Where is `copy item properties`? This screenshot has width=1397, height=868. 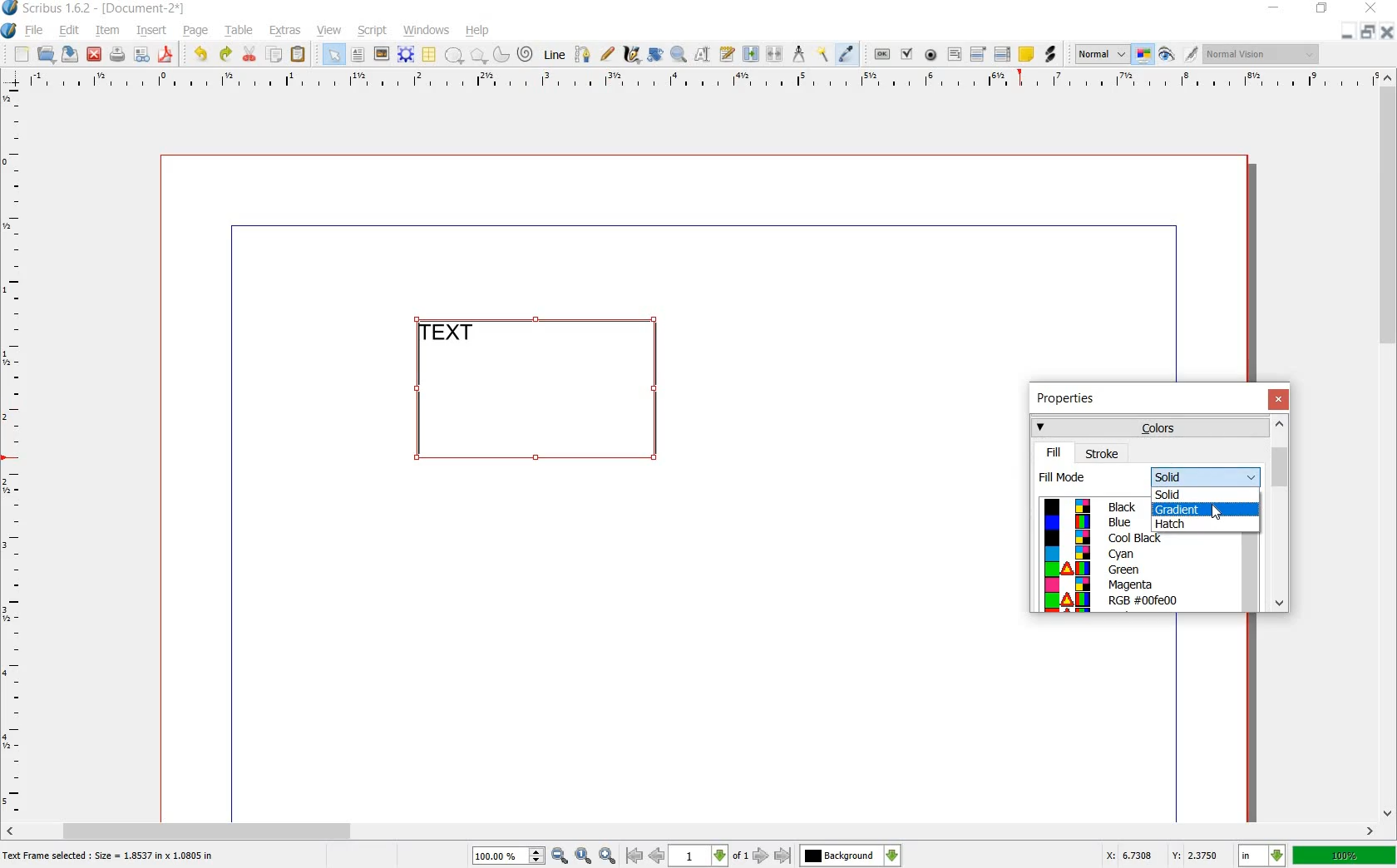
copy item properties is located at coordinates (824, 53).